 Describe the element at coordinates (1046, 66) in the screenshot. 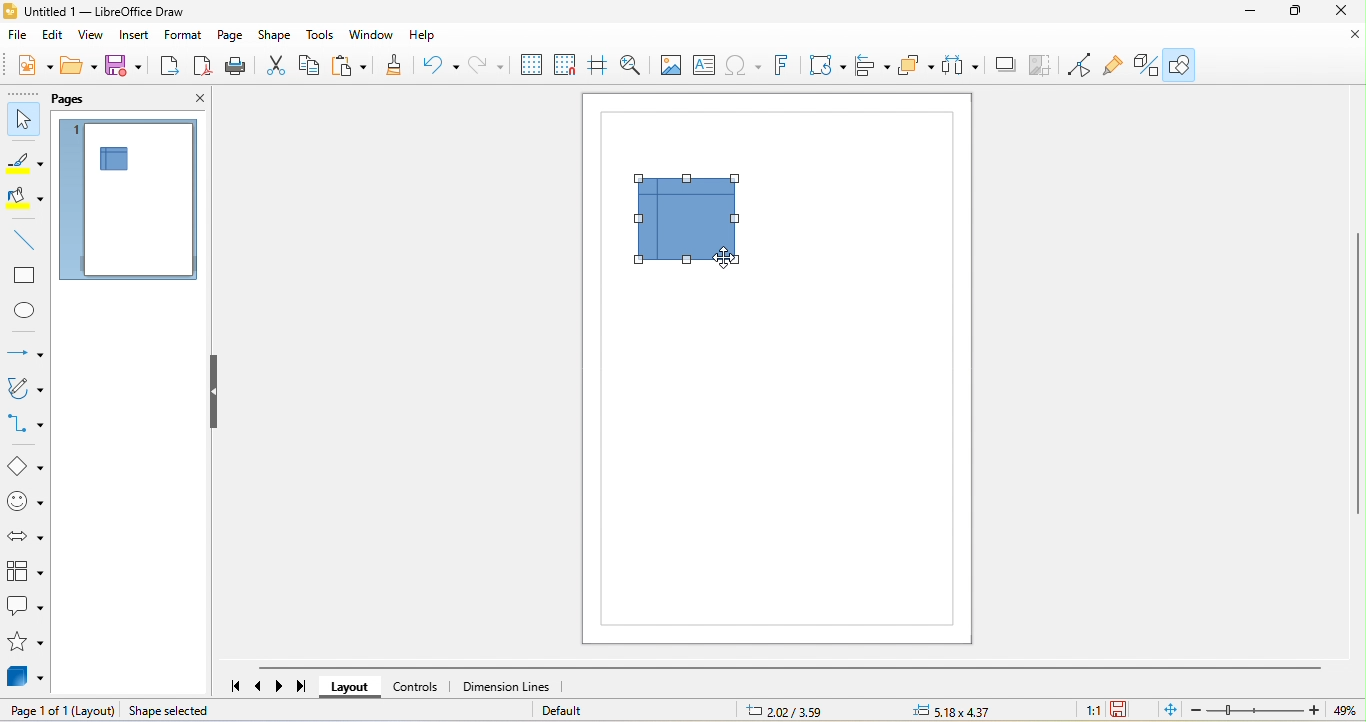

I see `crop image` at that location.